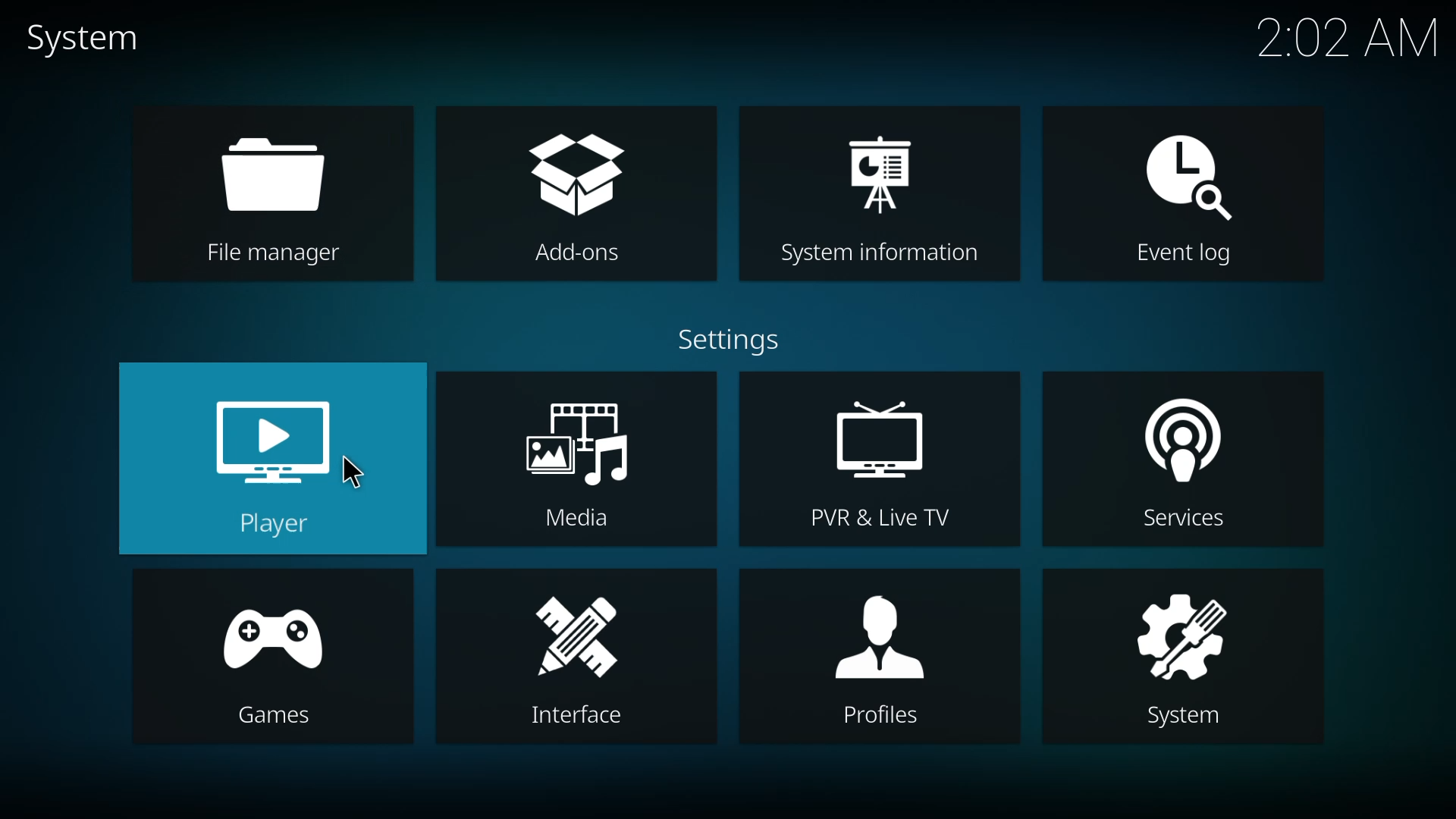 The width and height of the screenshot is (1456, 819). I want to click on file manager, so click(276, 195).